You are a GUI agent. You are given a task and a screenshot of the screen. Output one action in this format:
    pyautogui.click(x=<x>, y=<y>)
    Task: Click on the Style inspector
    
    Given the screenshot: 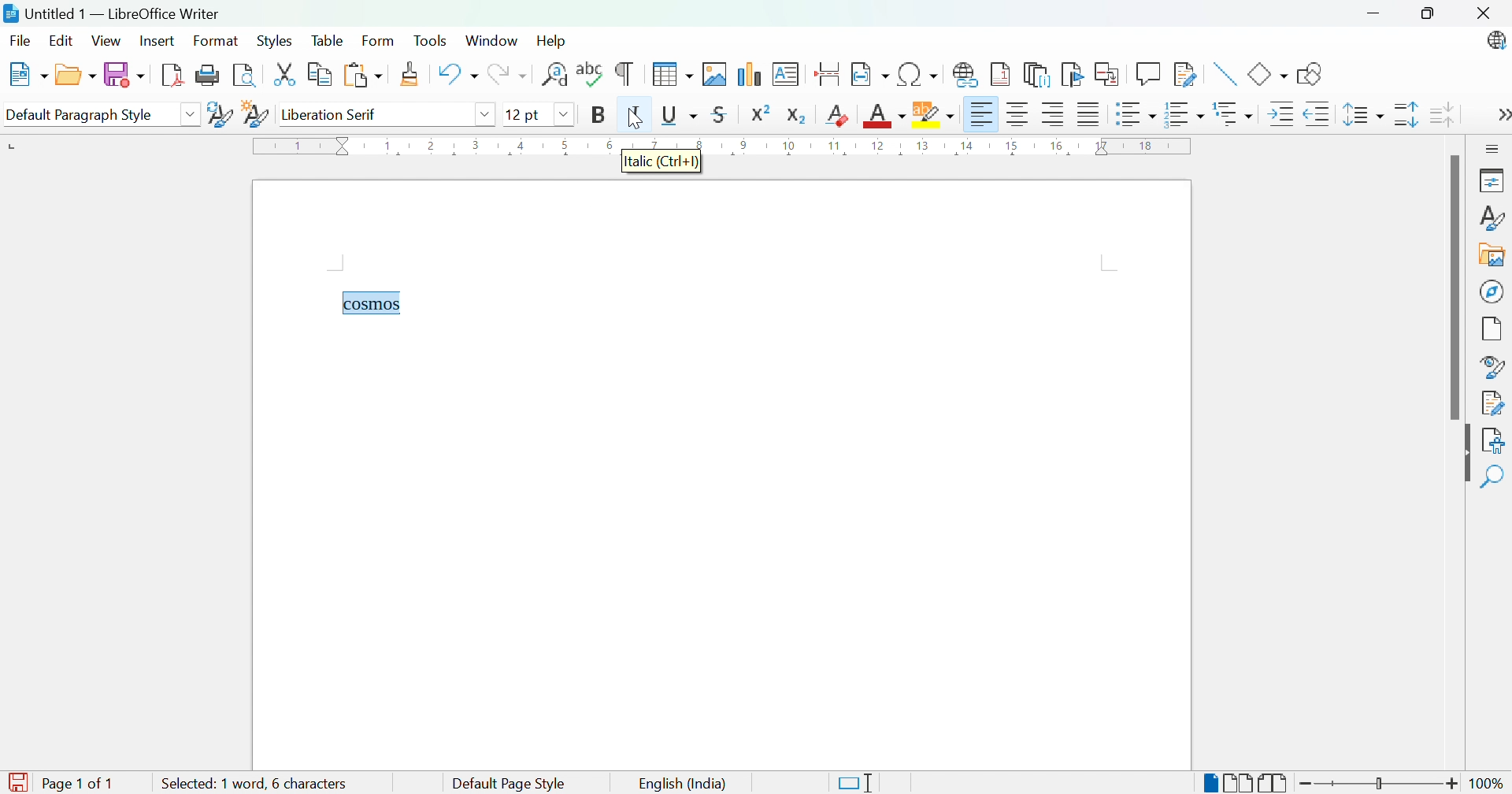 What is the action you would take?
    pyautogui.click(x=1489, y=368)
    